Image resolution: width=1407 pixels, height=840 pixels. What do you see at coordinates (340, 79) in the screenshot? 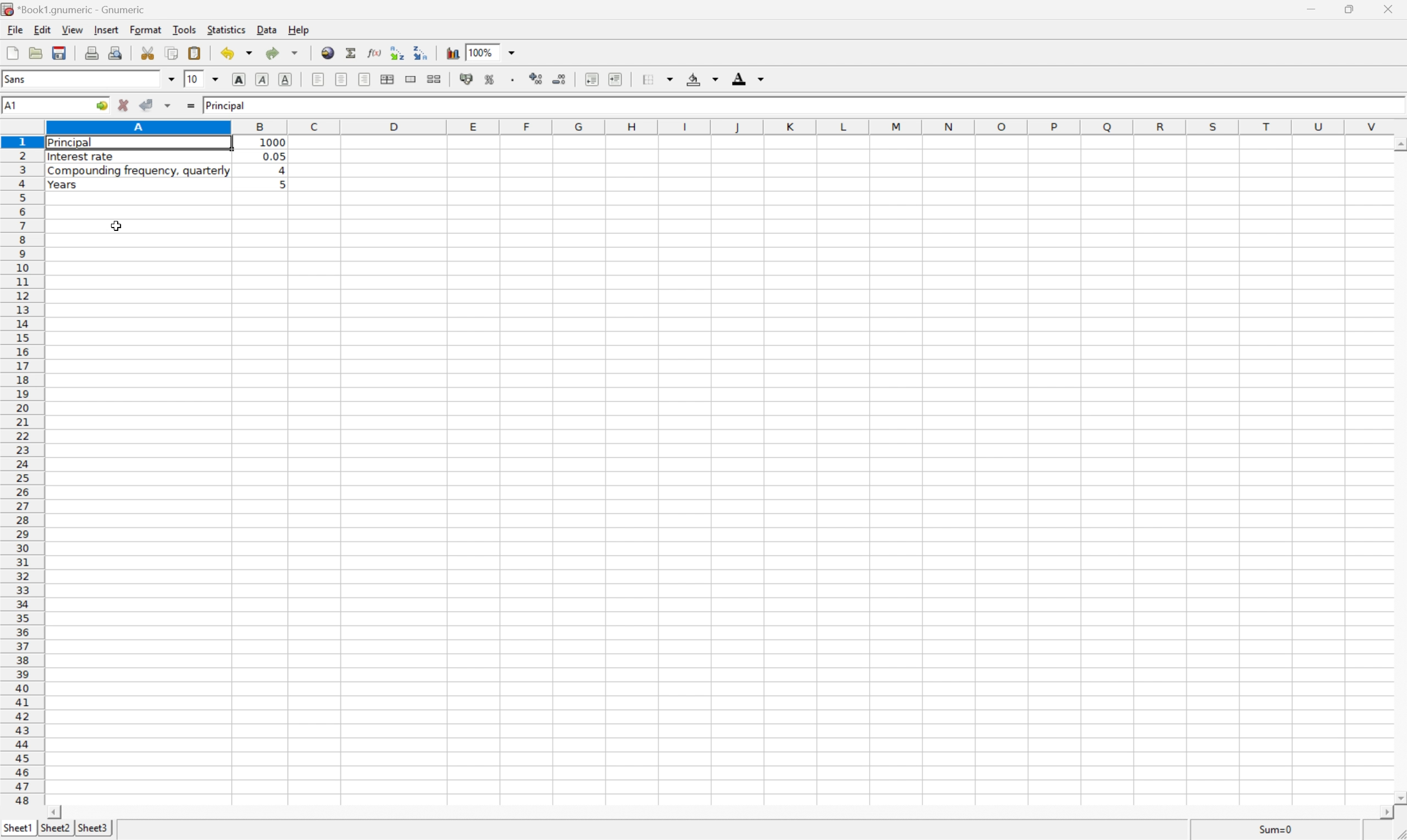
I see `center horizontally` at bounding box center [340, 79].